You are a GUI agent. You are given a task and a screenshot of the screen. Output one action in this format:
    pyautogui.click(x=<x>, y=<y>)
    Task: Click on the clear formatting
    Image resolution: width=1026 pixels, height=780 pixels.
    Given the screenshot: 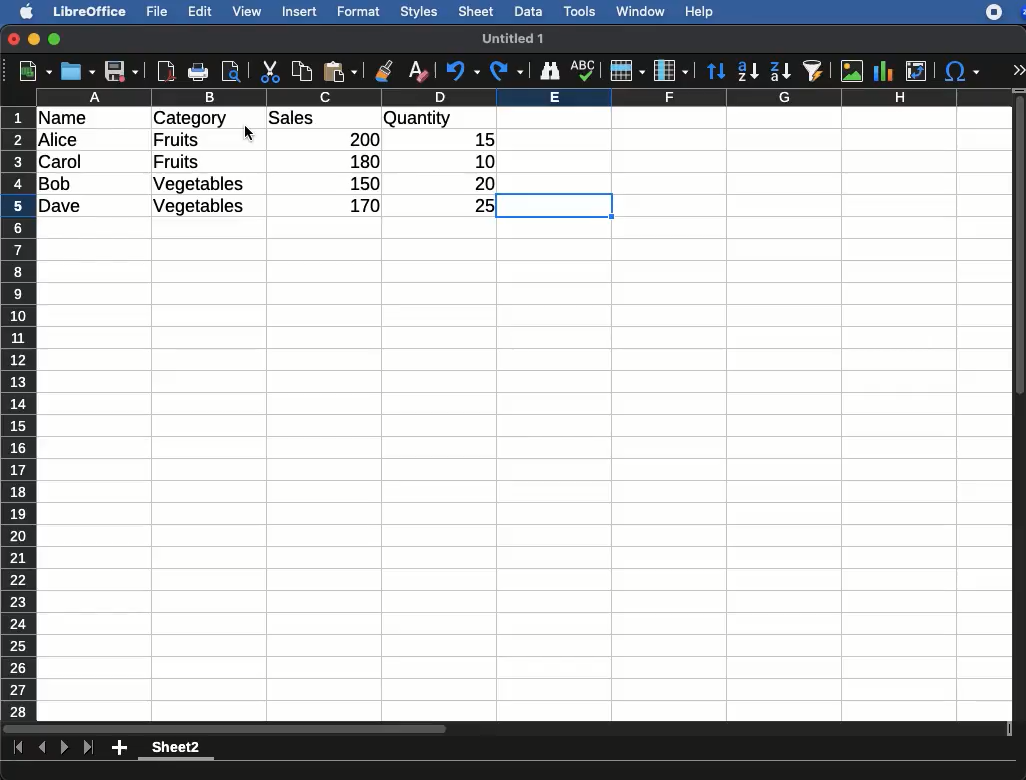 What is the action you would take?
    pyautogui.click(x=417, y=72)
    